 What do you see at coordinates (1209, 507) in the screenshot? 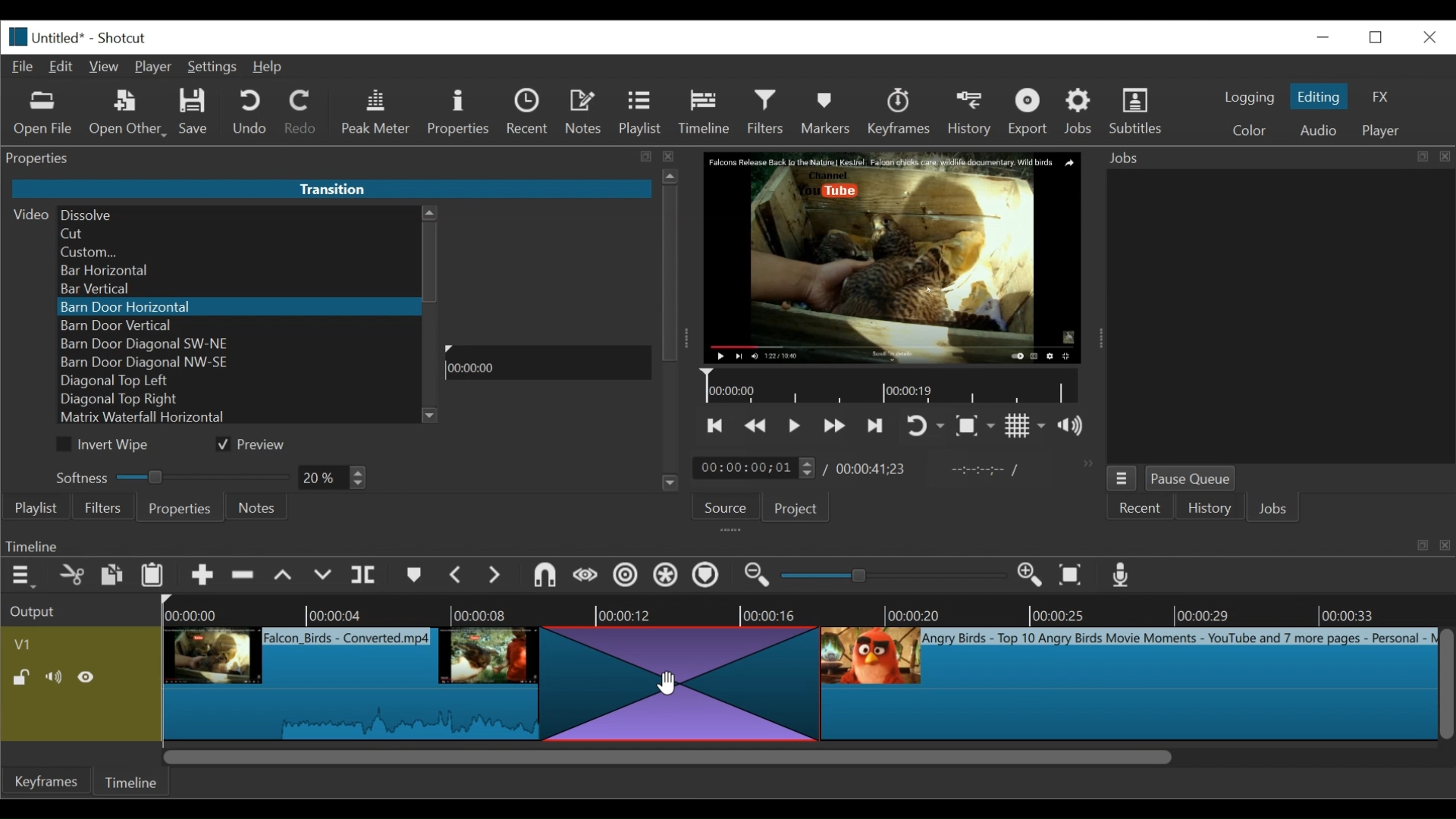
I see `History` at bounding box center [1209, 507].